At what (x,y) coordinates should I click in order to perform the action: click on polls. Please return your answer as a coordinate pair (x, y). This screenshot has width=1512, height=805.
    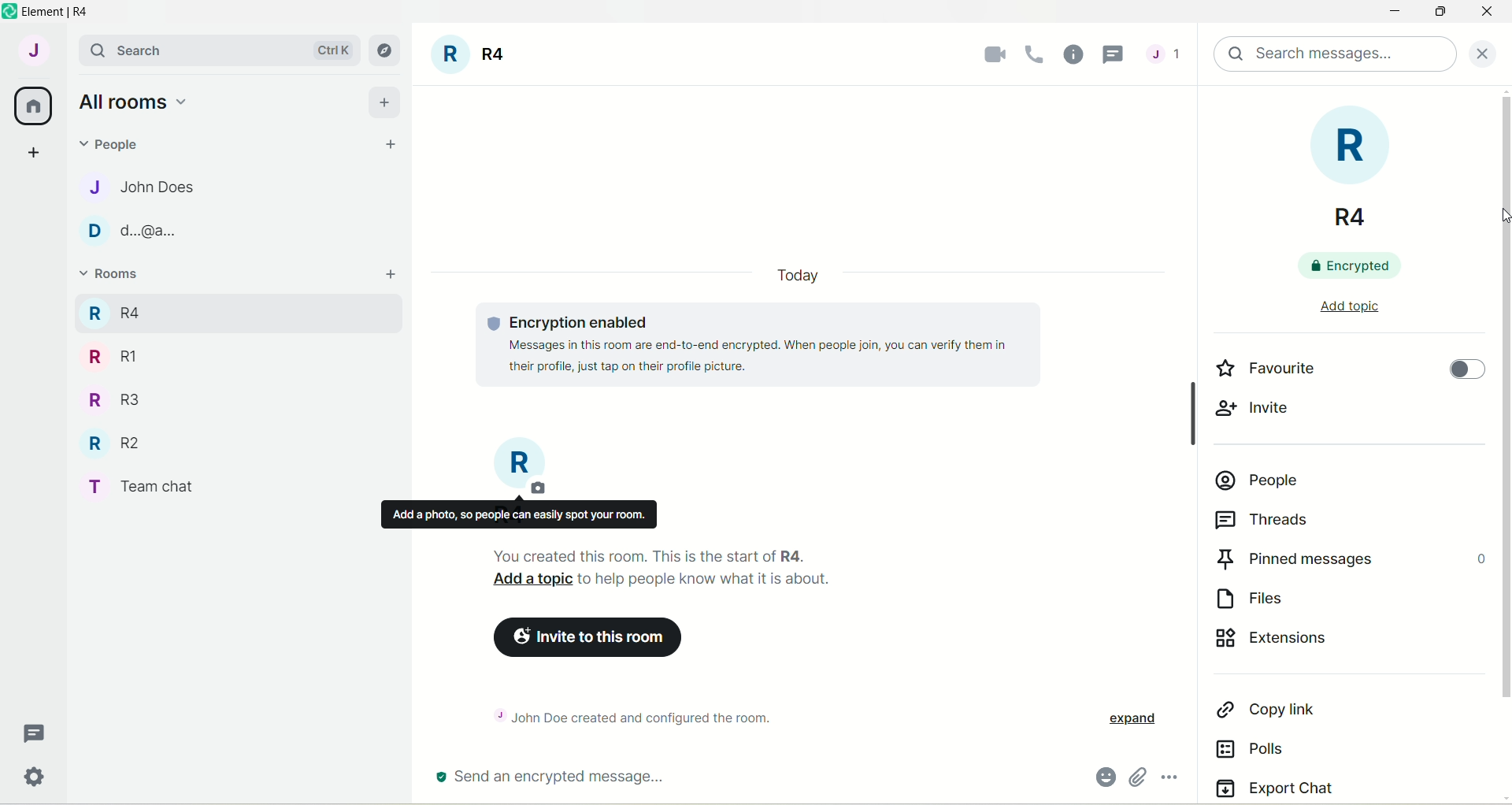
    Looking at the image, I should click on (1254, 749).